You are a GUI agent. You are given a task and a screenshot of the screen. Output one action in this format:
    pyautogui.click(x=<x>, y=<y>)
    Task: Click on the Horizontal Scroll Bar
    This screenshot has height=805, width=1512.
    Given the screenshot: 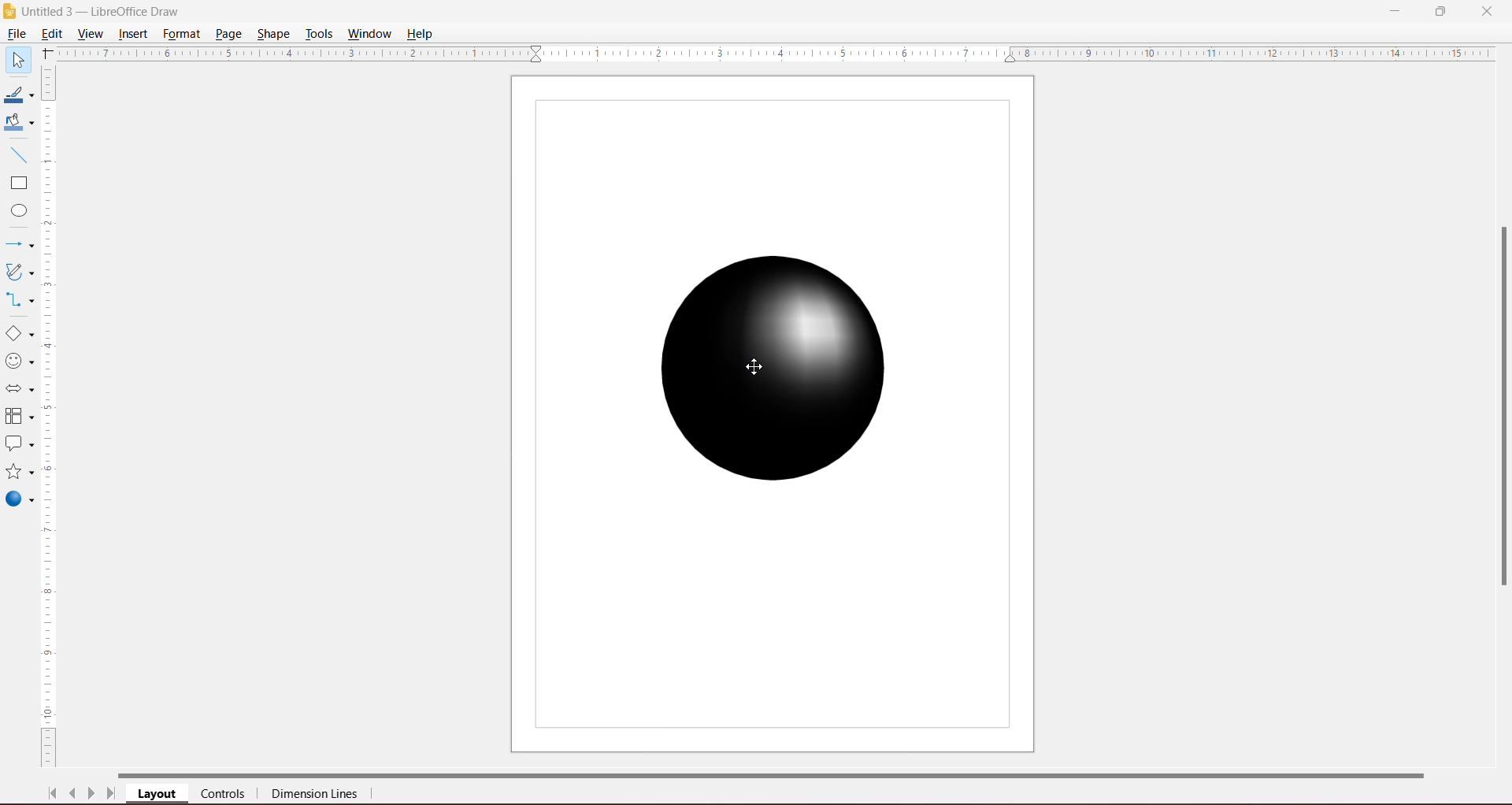 What is the action you would take?
    pyautogui.click(x=788, y=773)
    